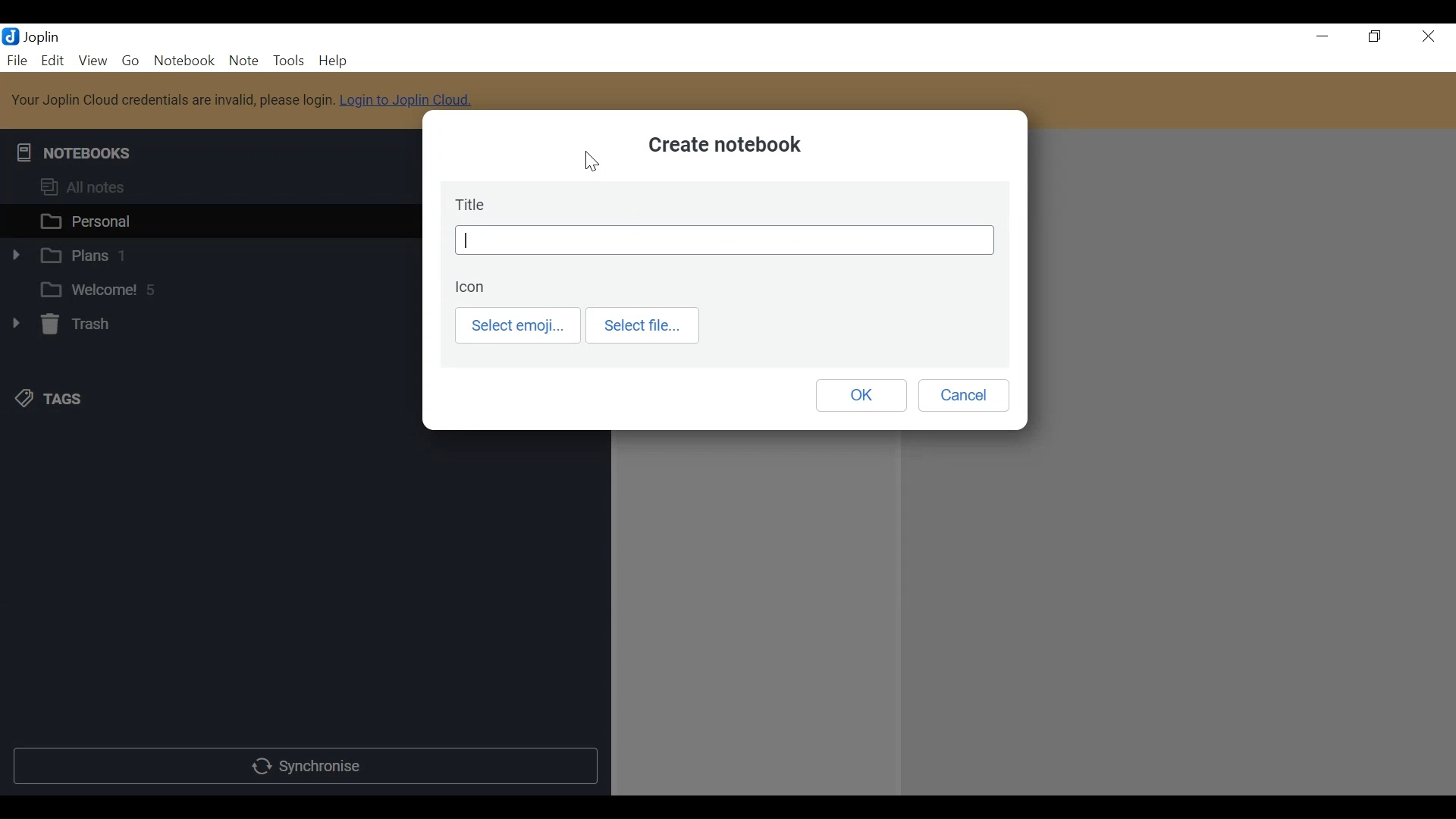 Image resolution: width=1456 pixels, height=819 pixels. Describe the element at coordinates (46, 398) in the screenshot. I see `Tags` at that location.